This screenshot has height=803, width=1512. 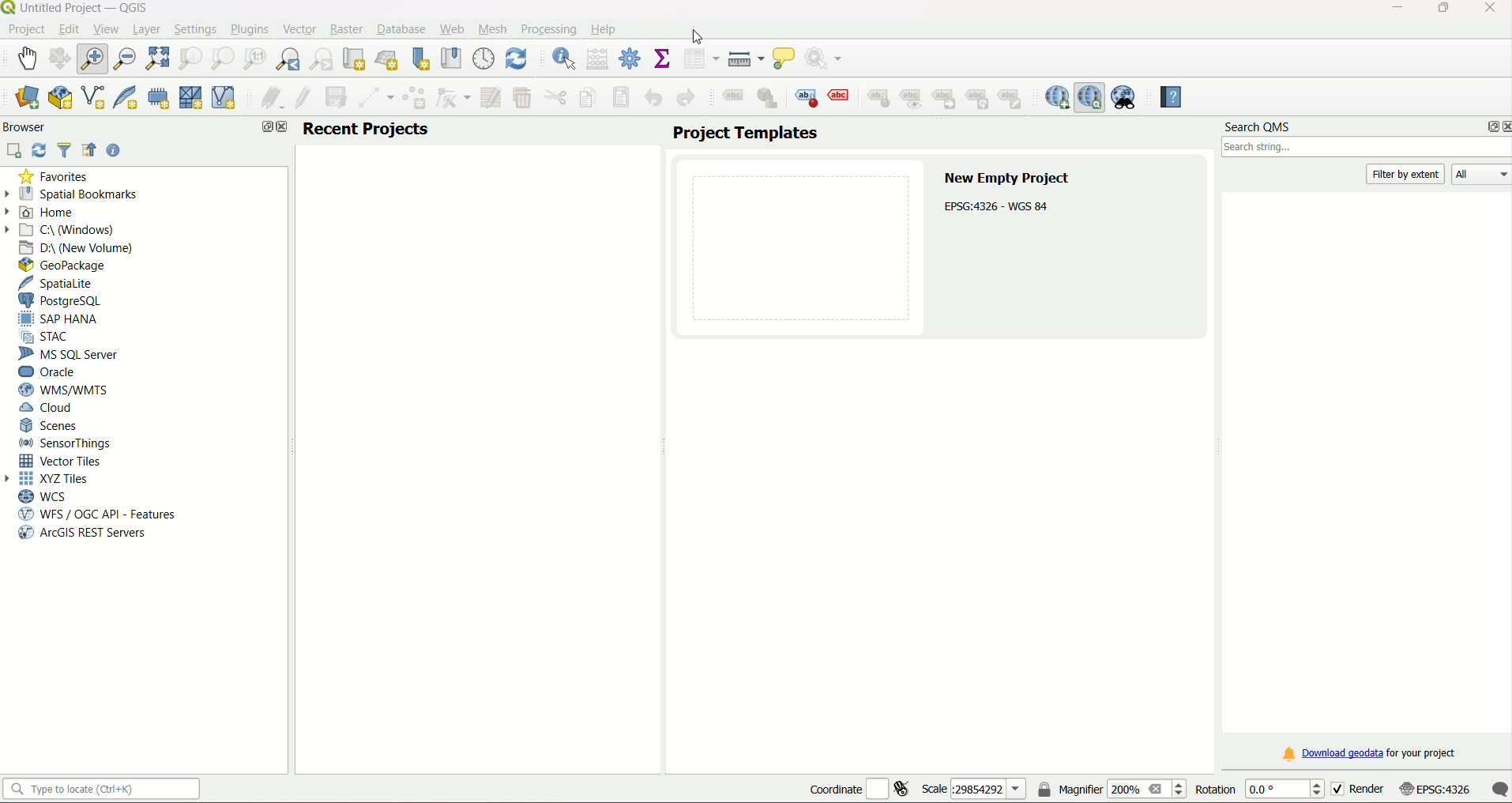 What do you see at coordinates (81, 534) in the screenshot?
I see `AroGIS REST Servers` at bounding box center [81, 534].